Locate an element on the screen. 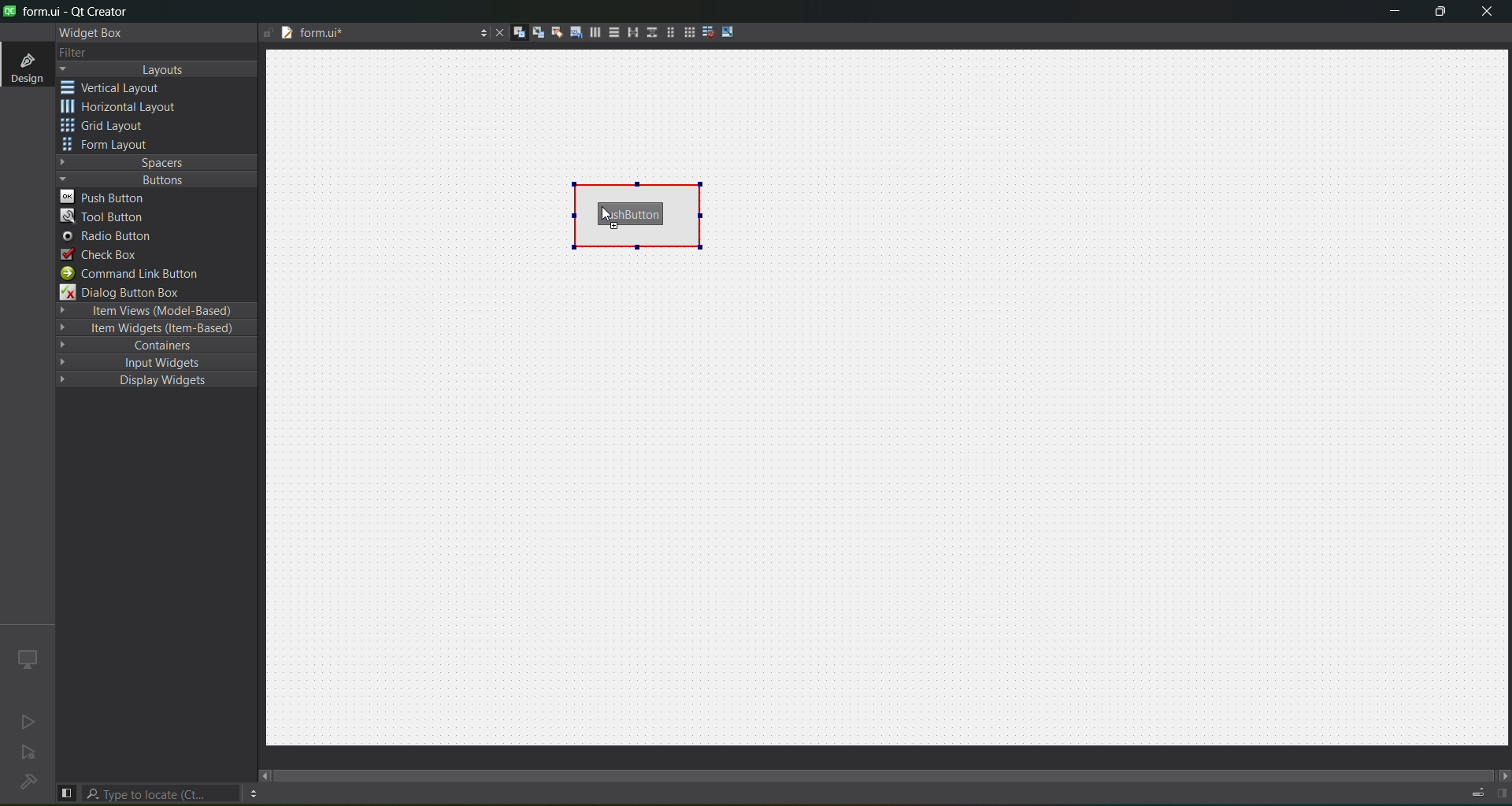 The width and height of the screenshot is (1512, 806). horizontal splitter is located at coordinates (630, 35).